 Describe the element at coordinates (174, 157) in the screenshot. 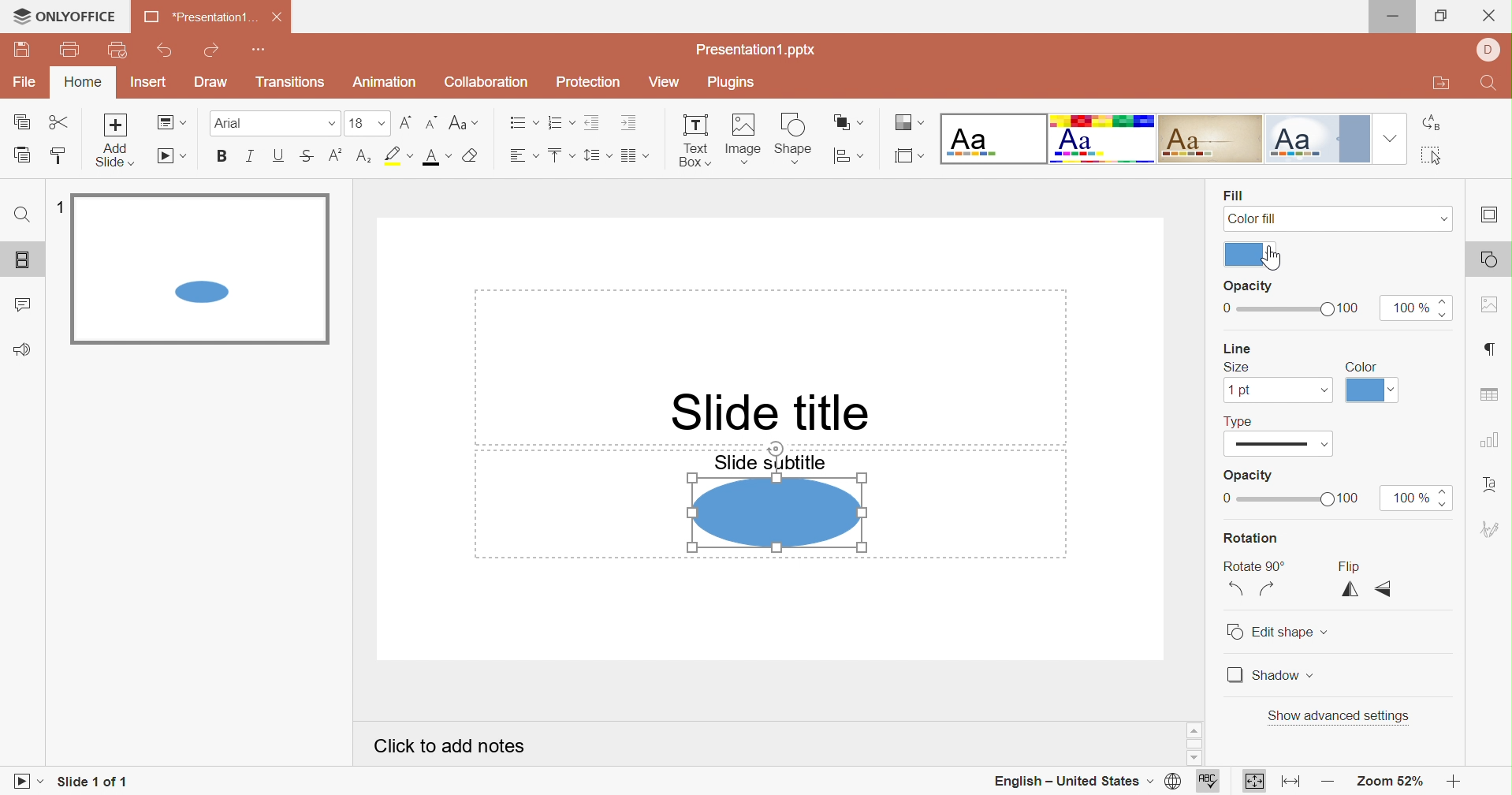

I see `Start slideshow` at that location.